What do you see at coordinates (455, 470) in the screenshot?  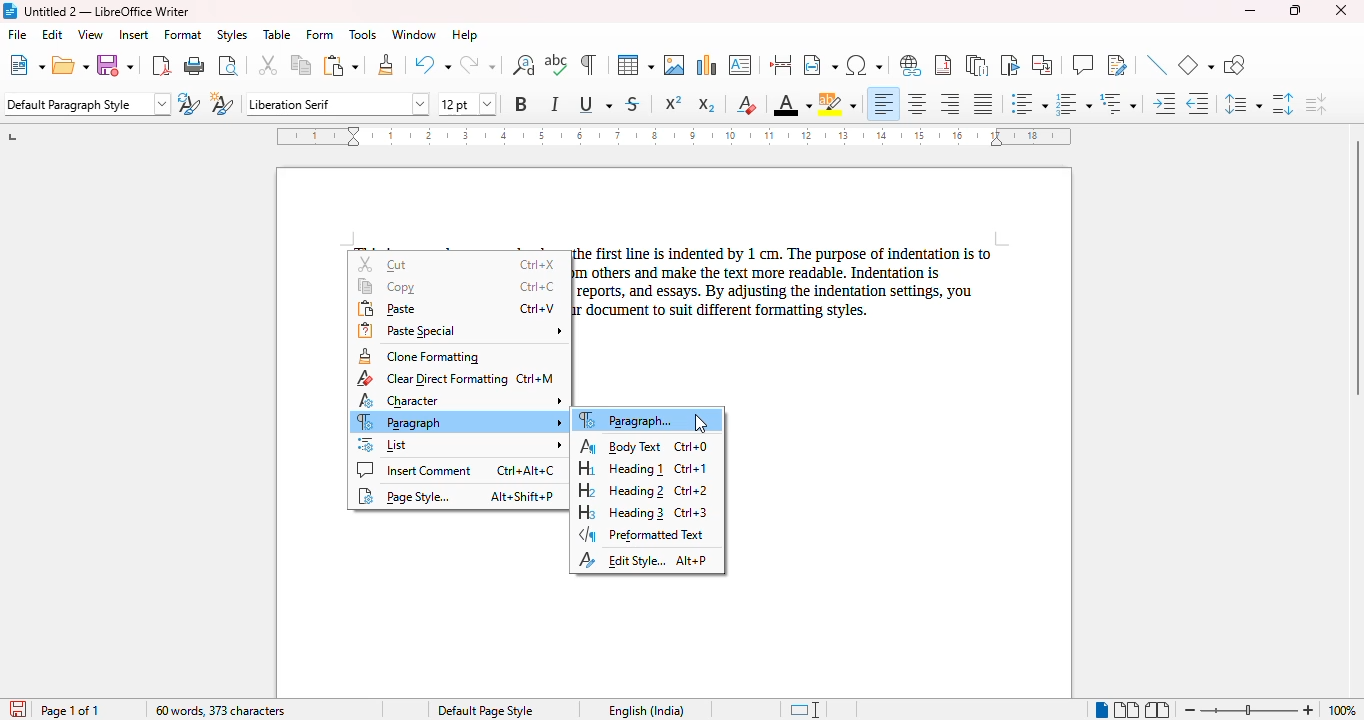 I see `insert comment` at bounding box center [455, 470].